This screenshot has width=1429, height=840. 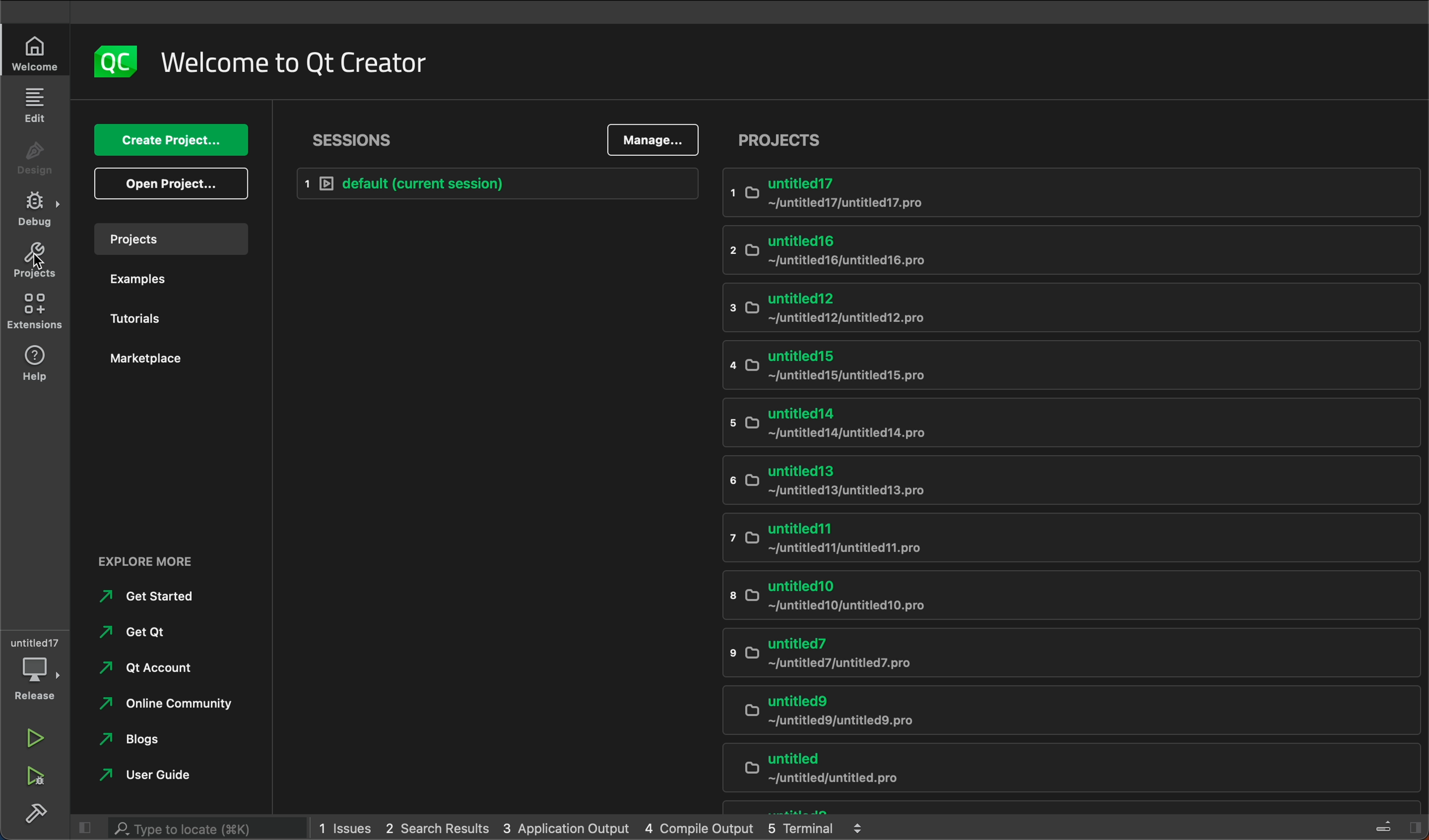 What do you see at coordinates (490, 184) in the screenshot?
I see `default sessions` at bounding box center [490, 184].